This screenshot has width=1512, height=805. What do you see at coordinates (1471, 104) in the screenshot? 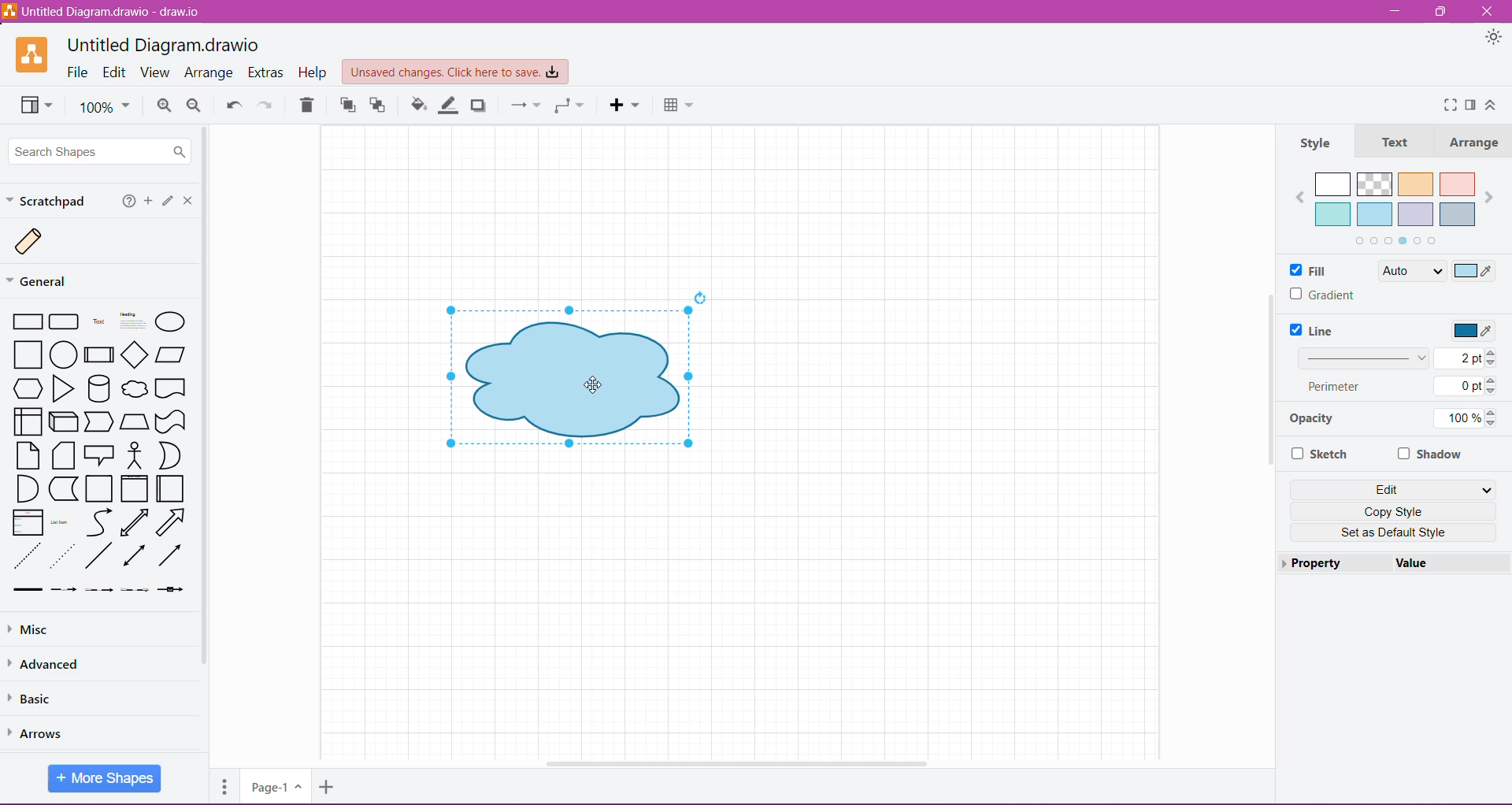
I see `Format` at bounding box center [1471, 104].